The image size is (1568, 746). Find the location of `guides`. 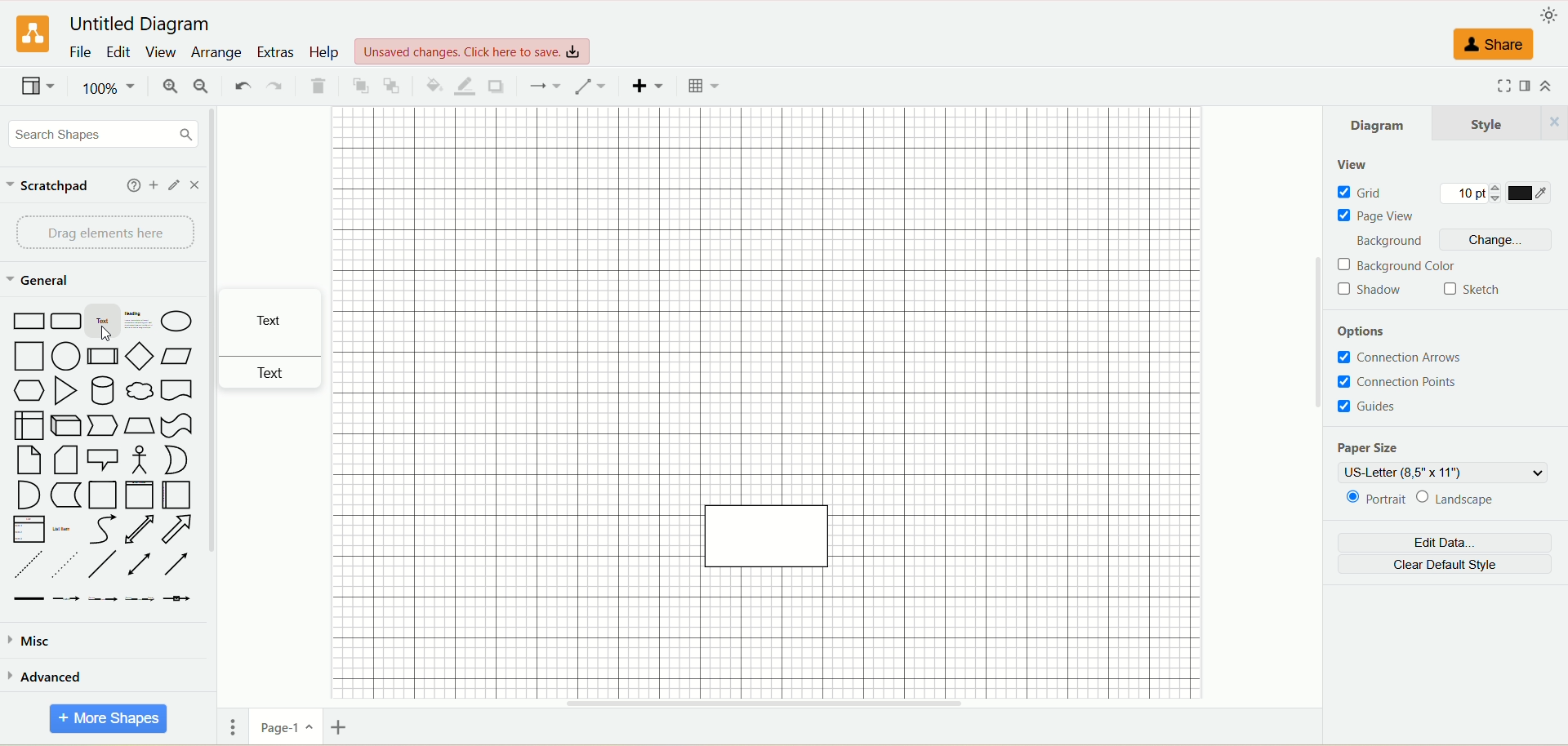

guides is located at coordinates (1365, 408).